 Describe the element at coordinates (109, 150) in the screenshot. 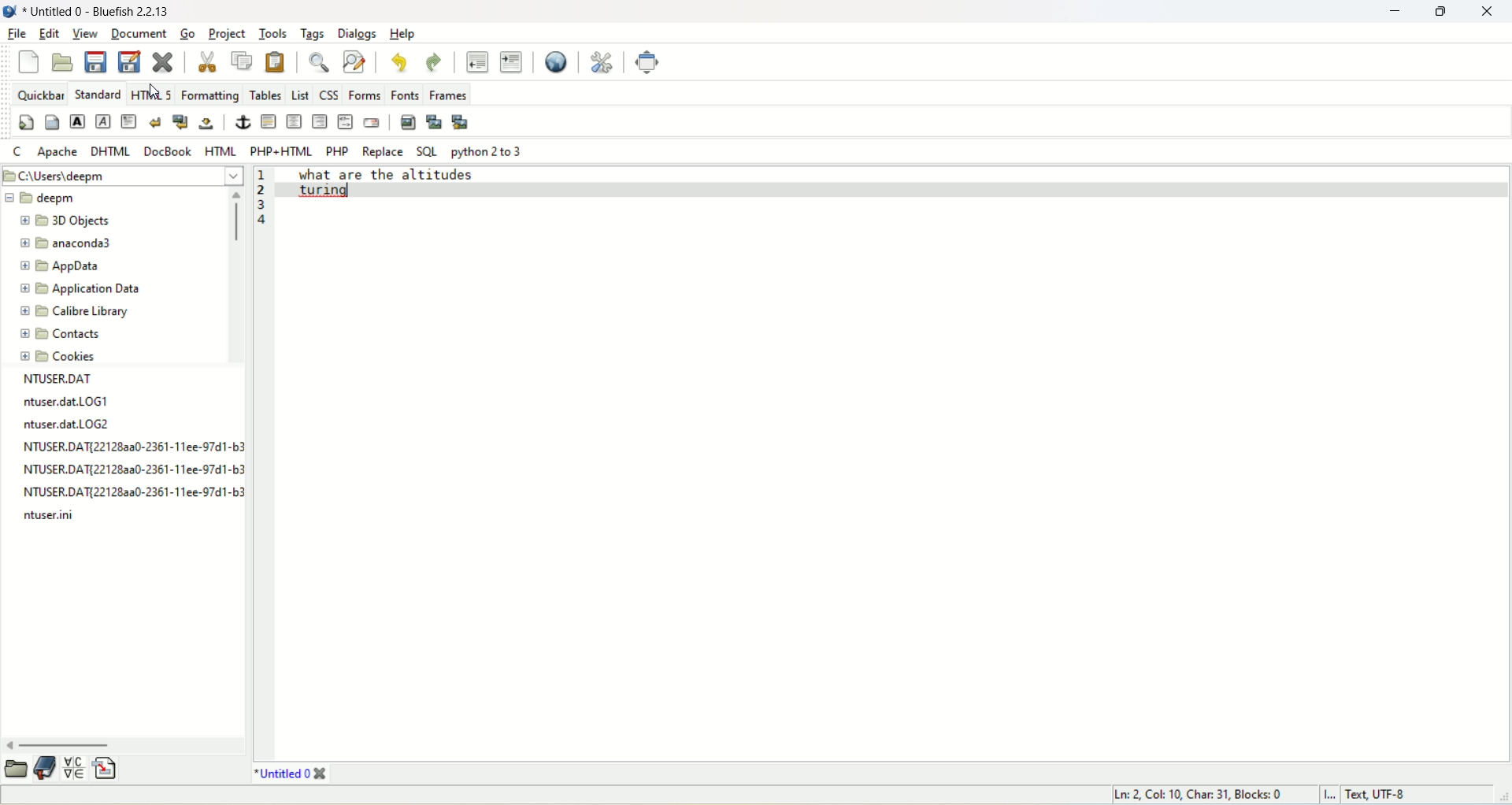

I see `DHTML` at that location.